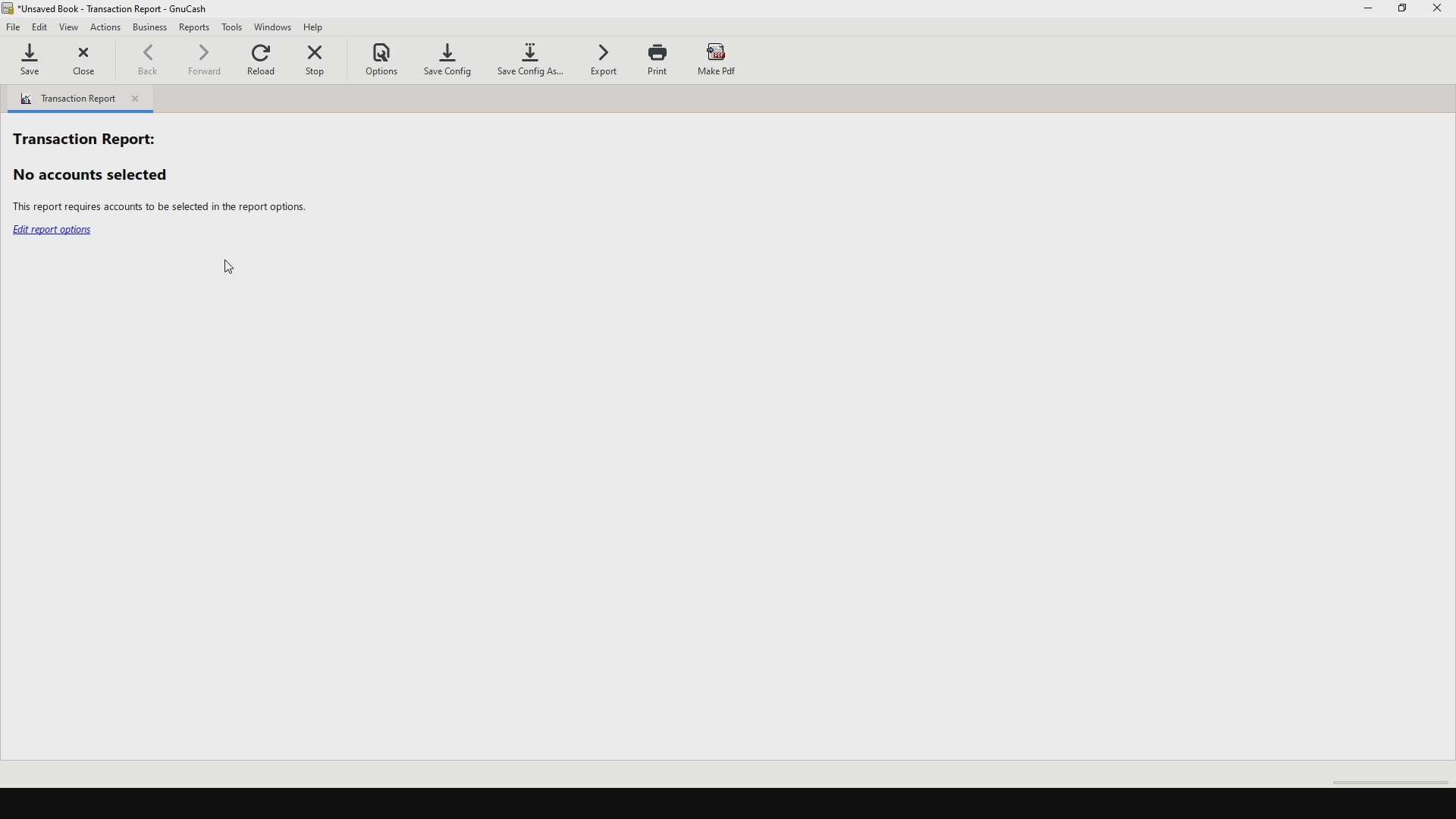 The height and width of the screenshot is (819, 1456). Describe the element at coordinates (42, 27) in the screenshot. I see `edit` at that location.